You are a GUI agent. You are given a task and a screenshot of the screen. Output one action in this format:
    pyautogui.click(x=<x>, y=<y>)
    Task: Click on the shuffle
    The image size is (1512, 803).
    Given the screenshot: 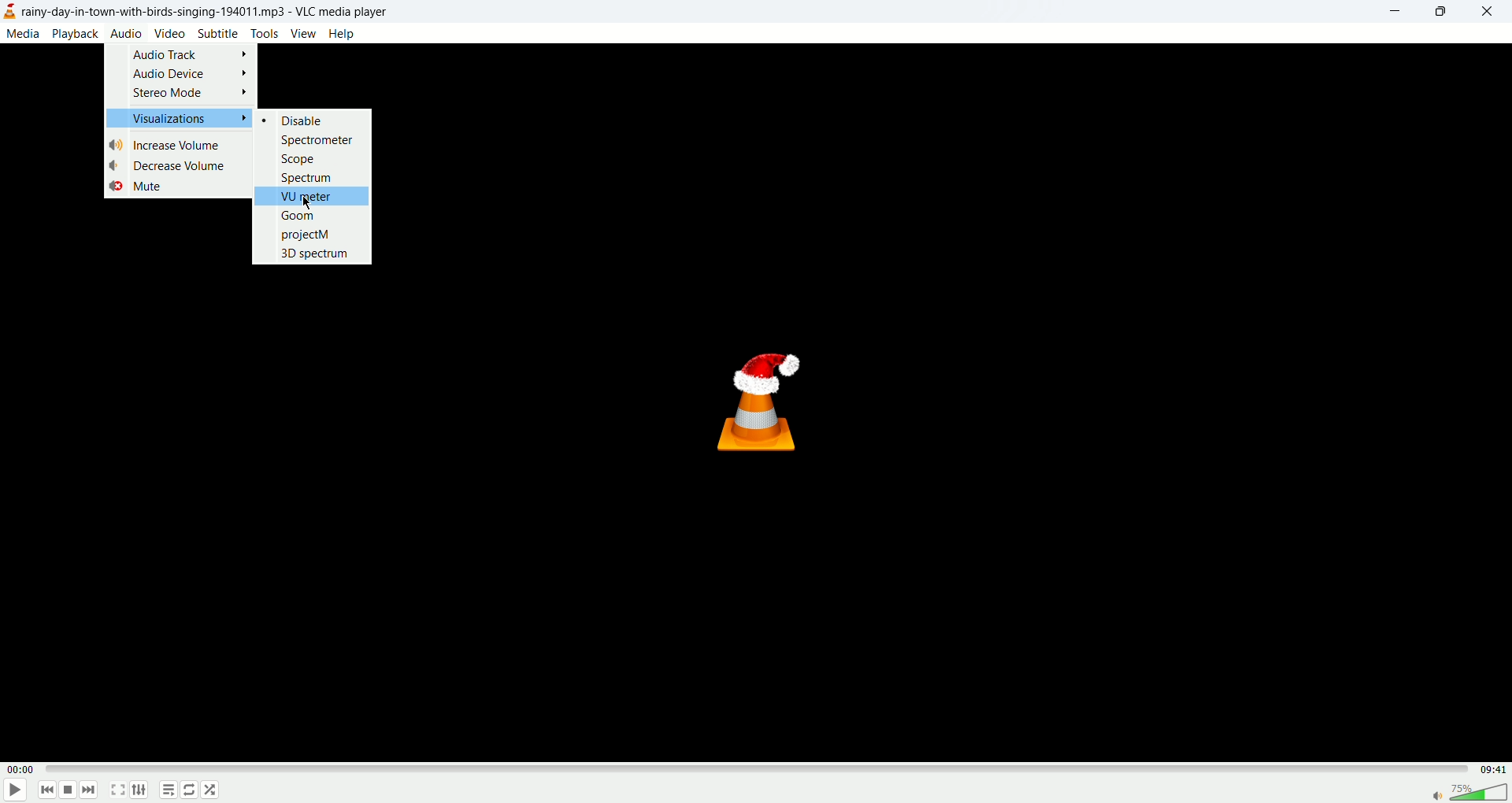 What is the action you would take?
    pyautogui.click(x=213, y=794)
    